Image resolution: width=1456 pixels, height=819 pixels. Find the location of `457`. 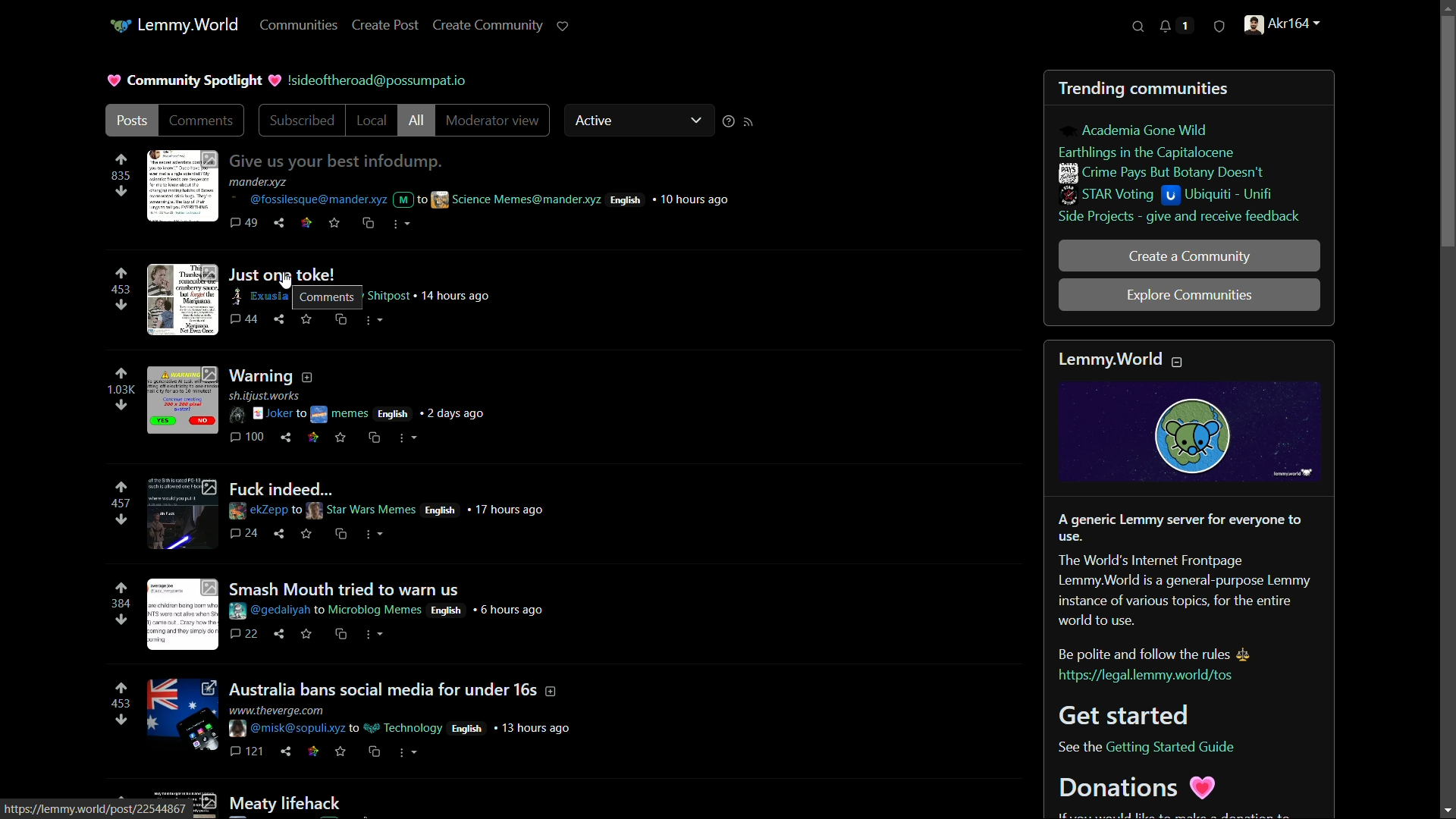

457 is located at coordinates (122, 504).